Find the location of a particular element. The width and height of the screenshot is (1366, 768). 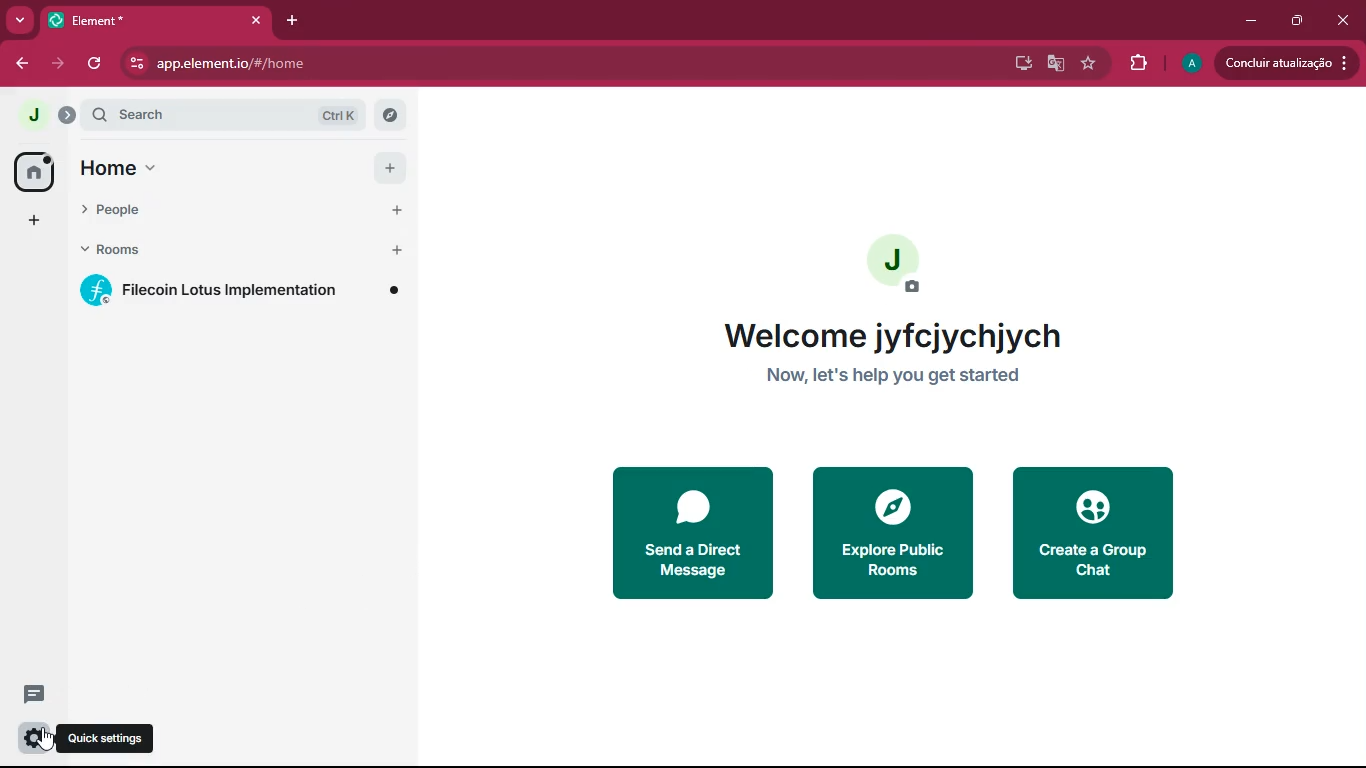

send a direct message is located at coordinates (687, 534).